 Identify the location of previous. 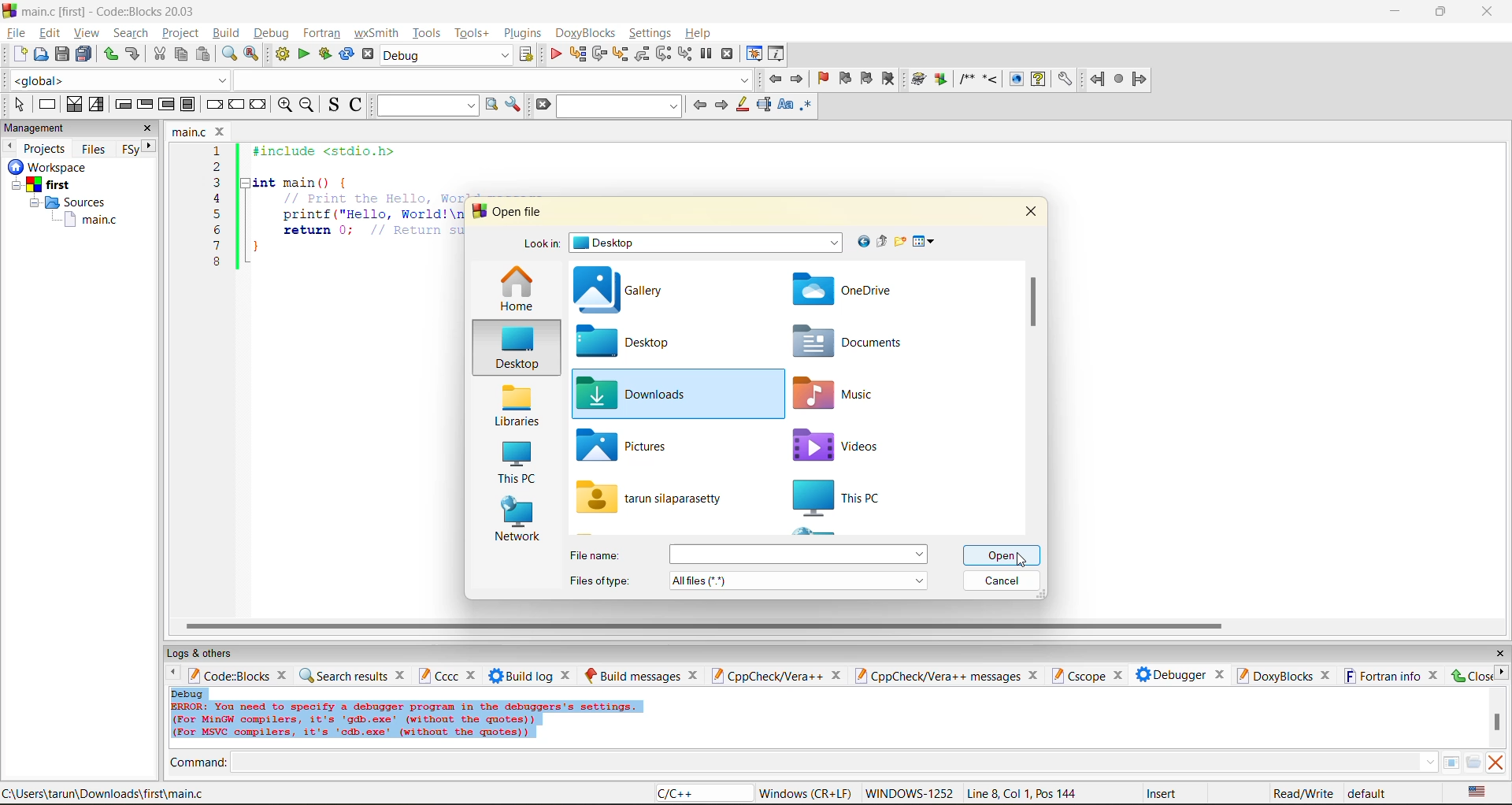
(169, 674).